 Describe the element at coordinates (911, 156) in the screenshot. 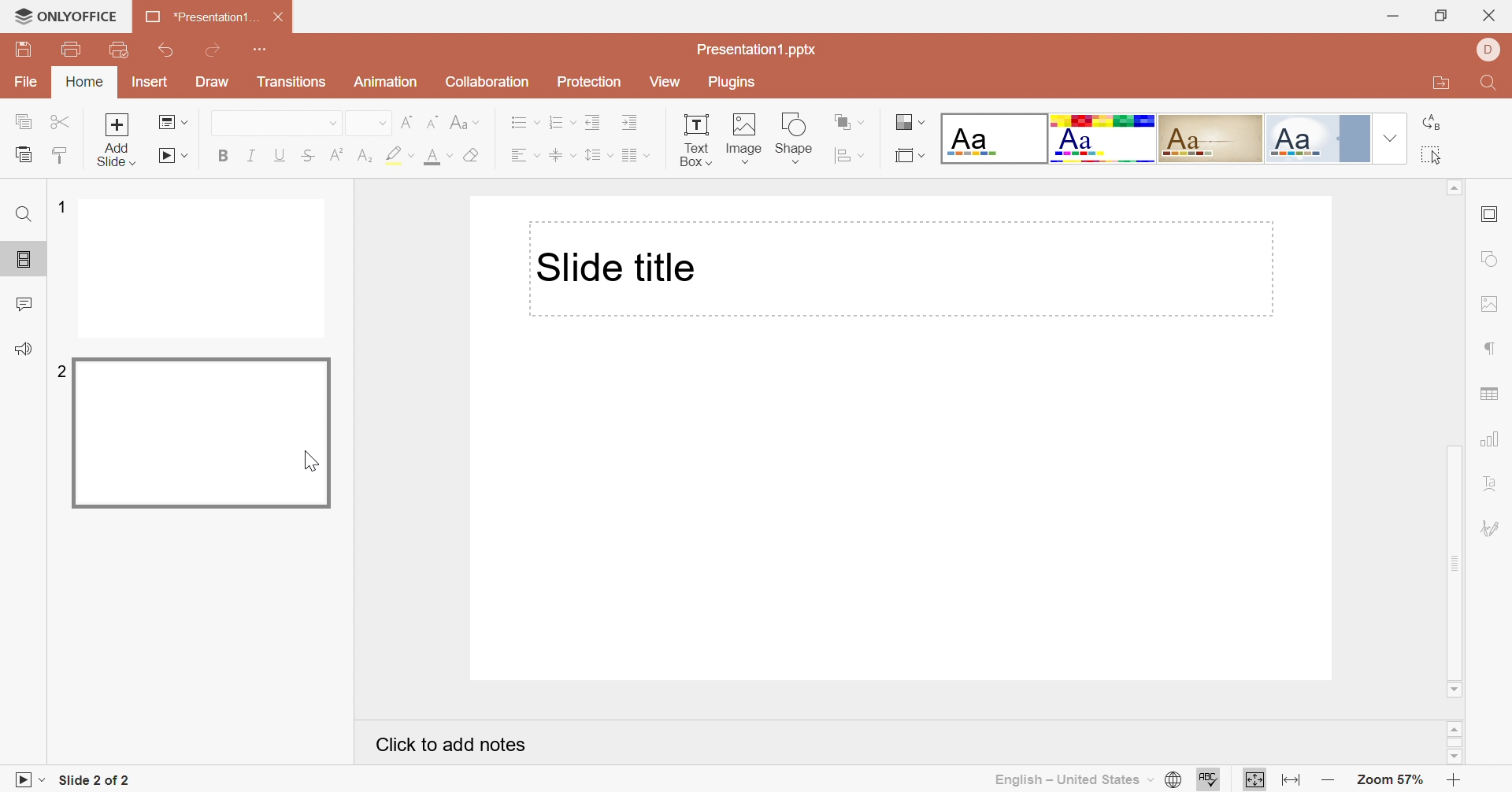

I see `Change slide size` at that location.